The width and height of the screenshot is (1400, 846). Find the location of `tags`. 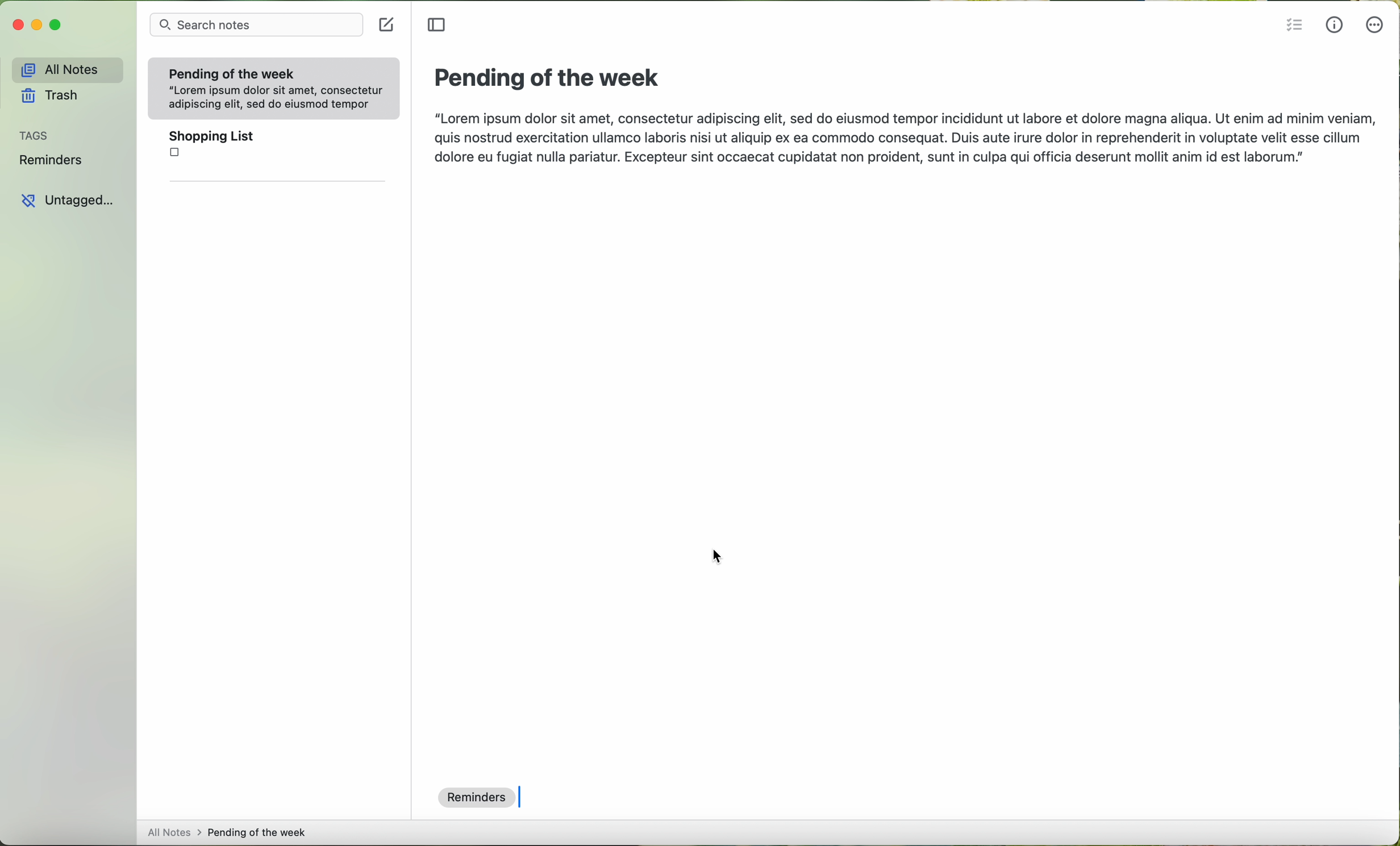

tags is located at coordinates (36, 136).